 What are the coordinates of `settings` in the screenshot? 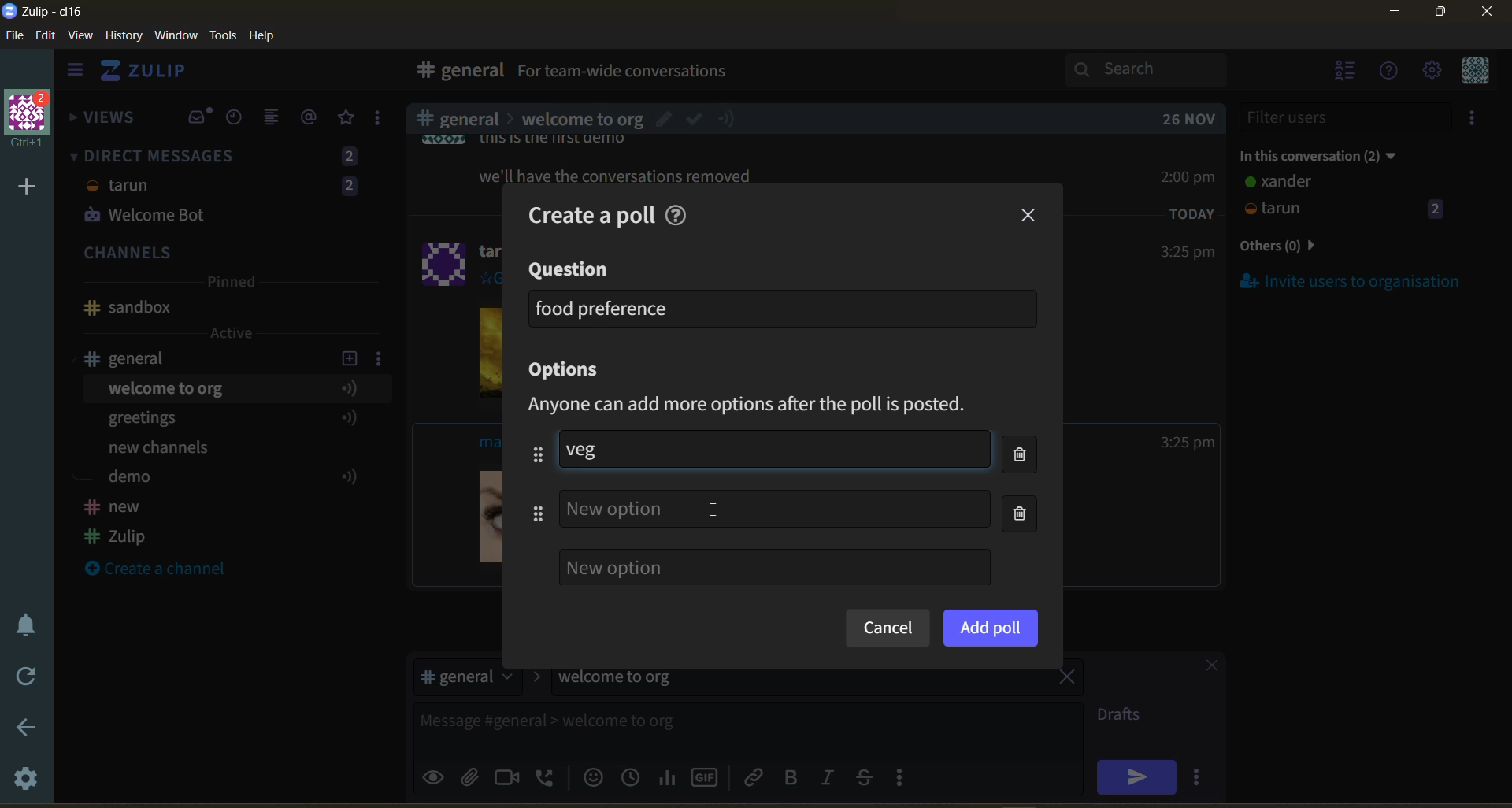 It's located at (28, 781).